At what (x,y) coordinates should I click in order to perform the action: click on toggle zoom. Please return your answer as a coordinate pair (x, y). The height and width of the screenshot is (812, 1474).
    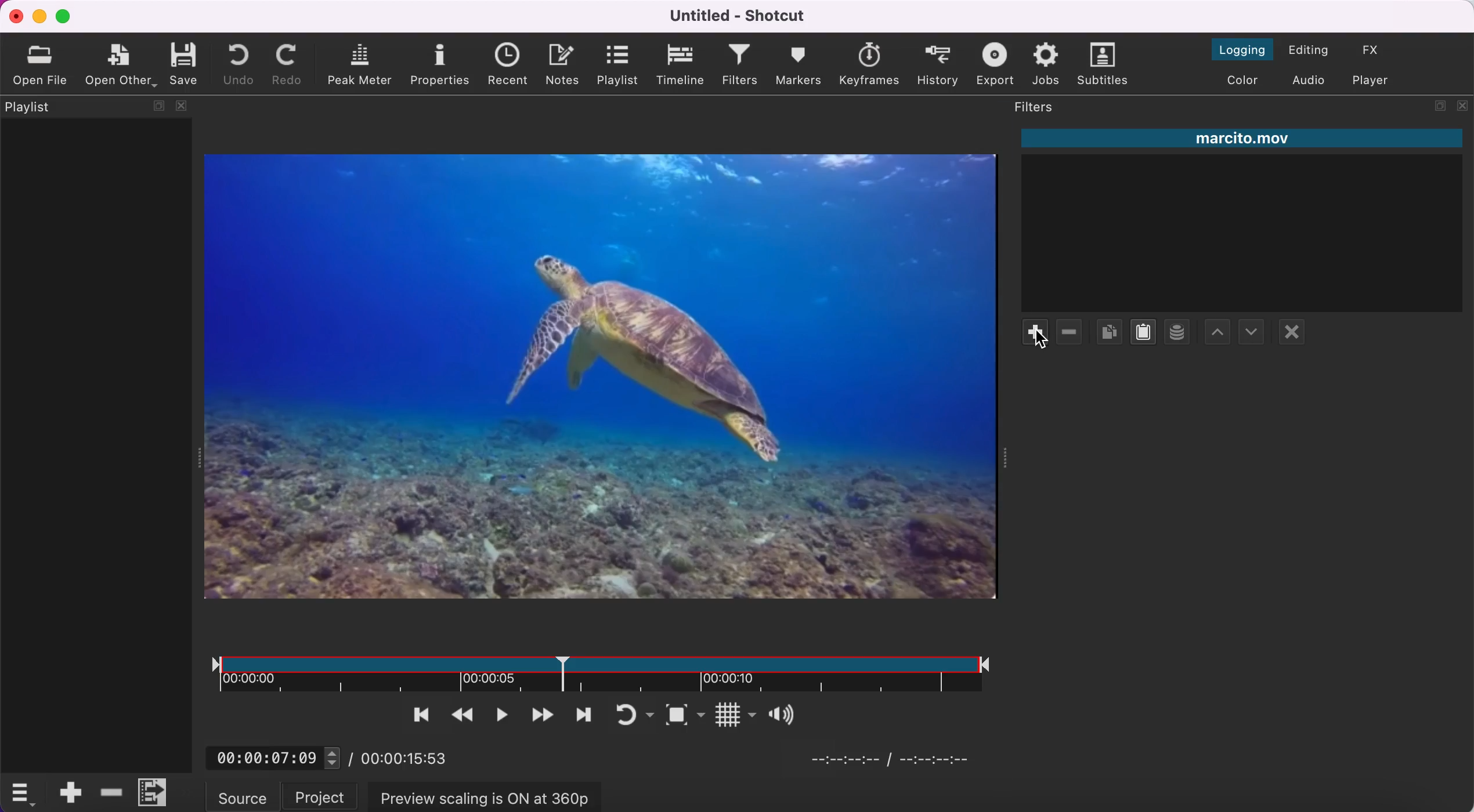
    Looking at the image, I should click on (663, 715).